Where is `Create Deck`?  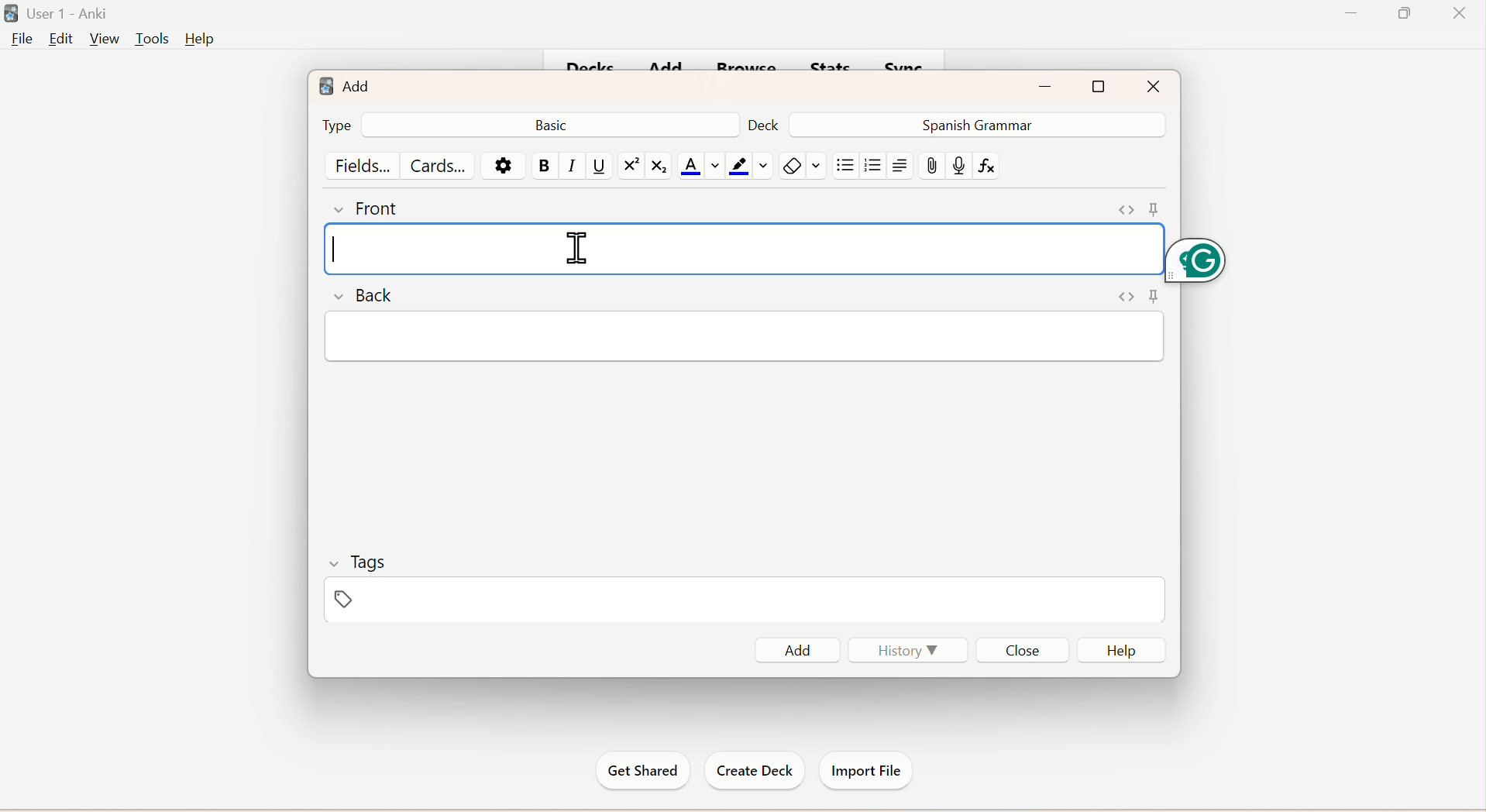
Create Deck is located at coordinates (750, 771).